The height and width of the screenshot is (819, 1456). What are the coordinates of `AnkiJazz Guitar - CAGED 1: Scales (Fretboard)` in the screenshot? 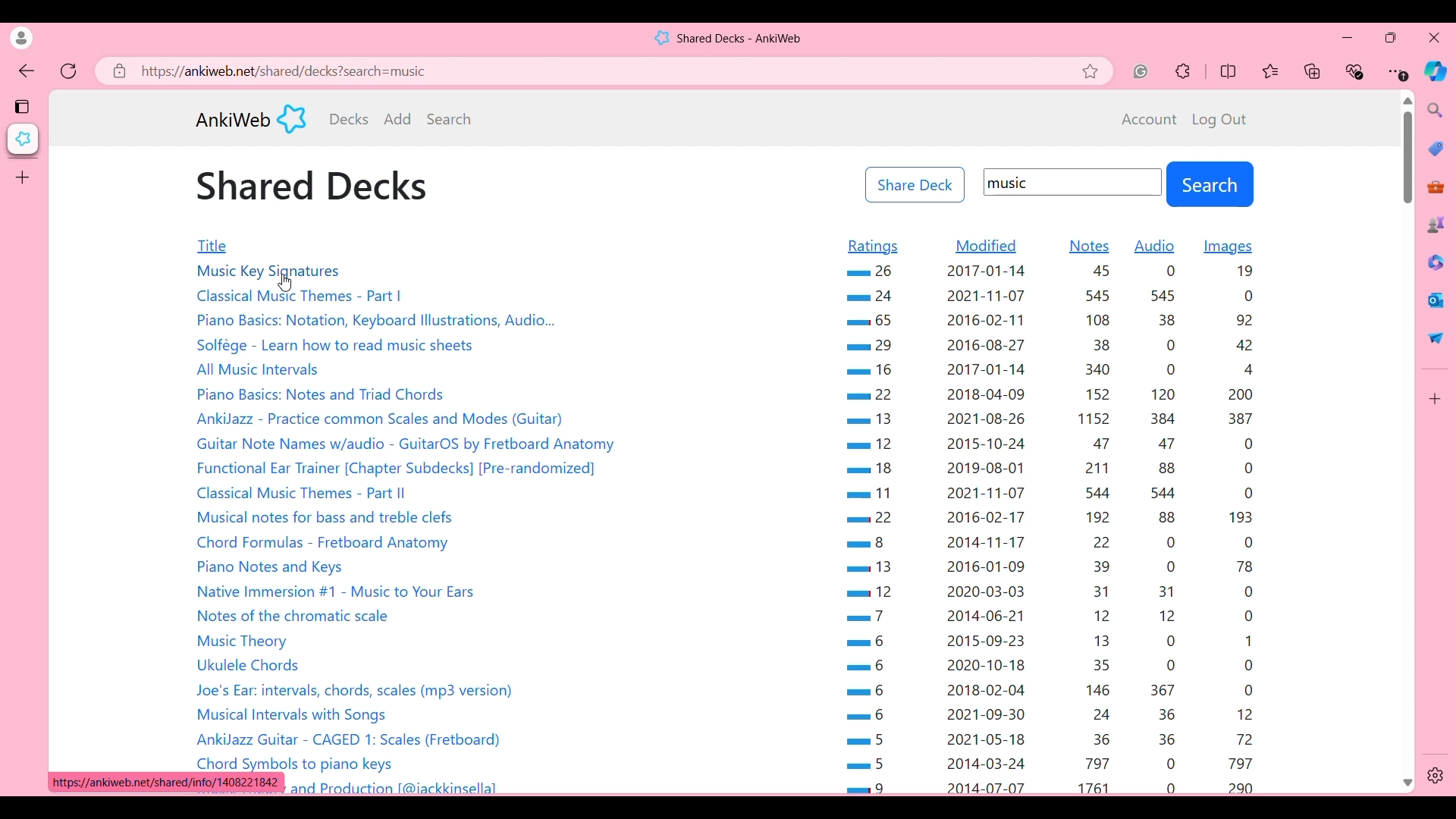 It's located at (356, 739).